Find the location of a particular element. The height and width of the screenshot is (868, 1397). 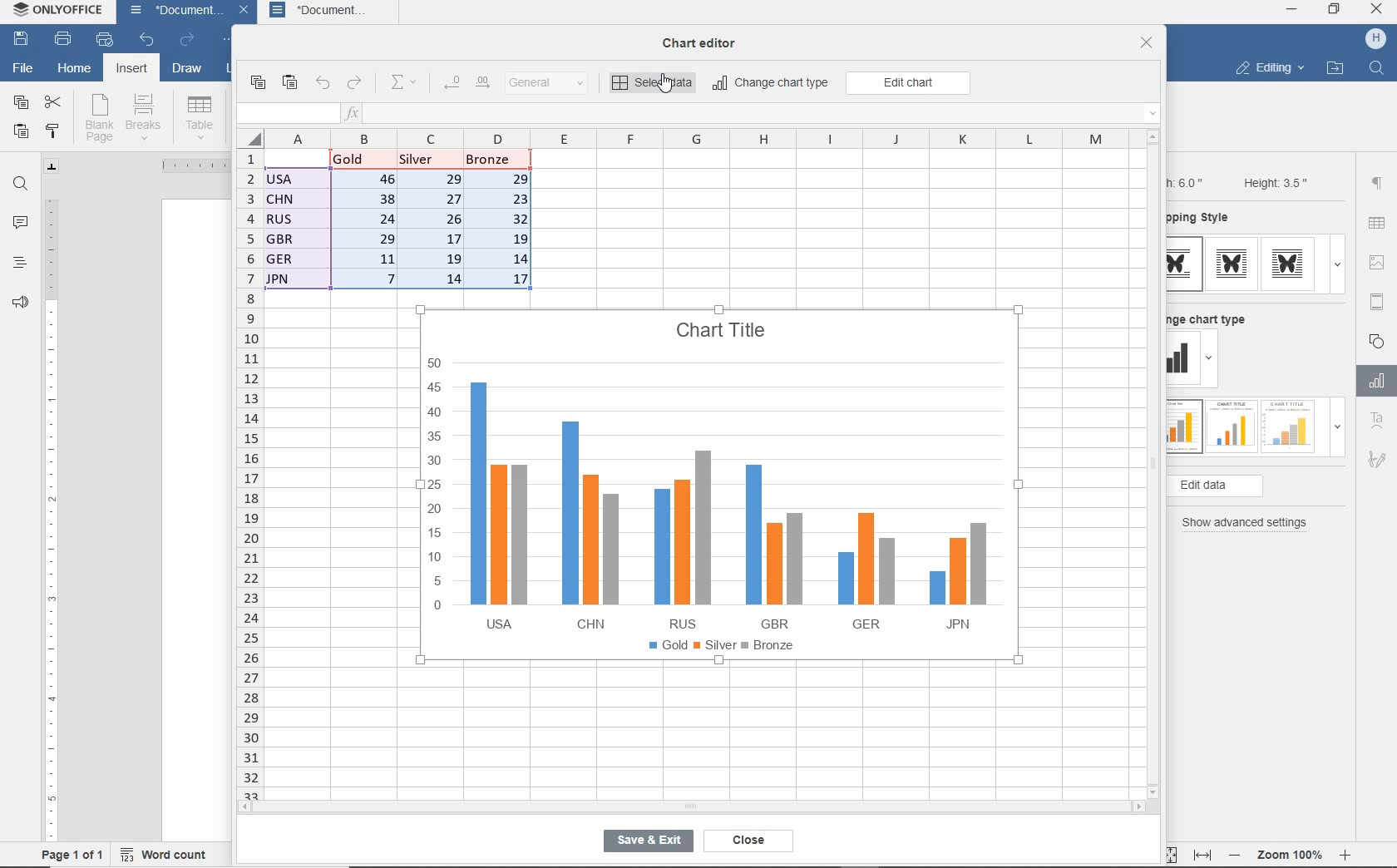

edit chart is located at coordinates (908, 83).